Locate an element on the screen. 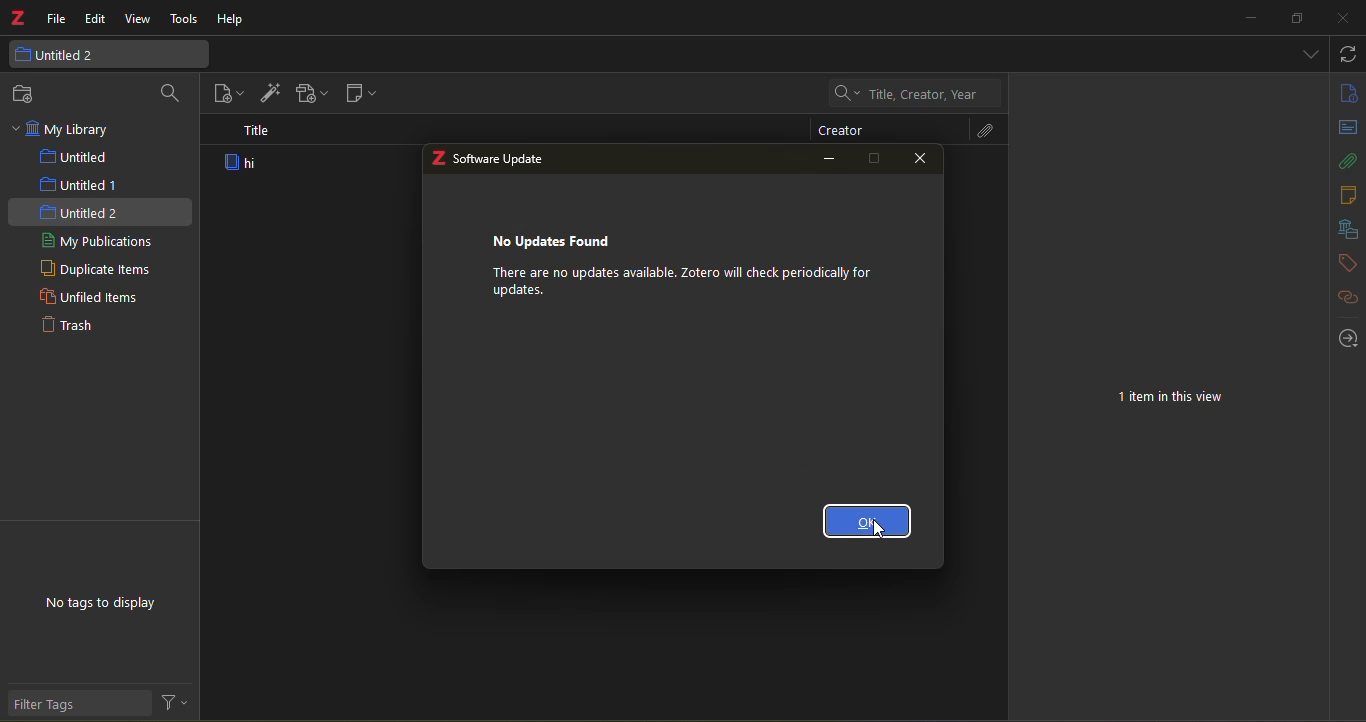  new note is located at coordinates (361, 93).